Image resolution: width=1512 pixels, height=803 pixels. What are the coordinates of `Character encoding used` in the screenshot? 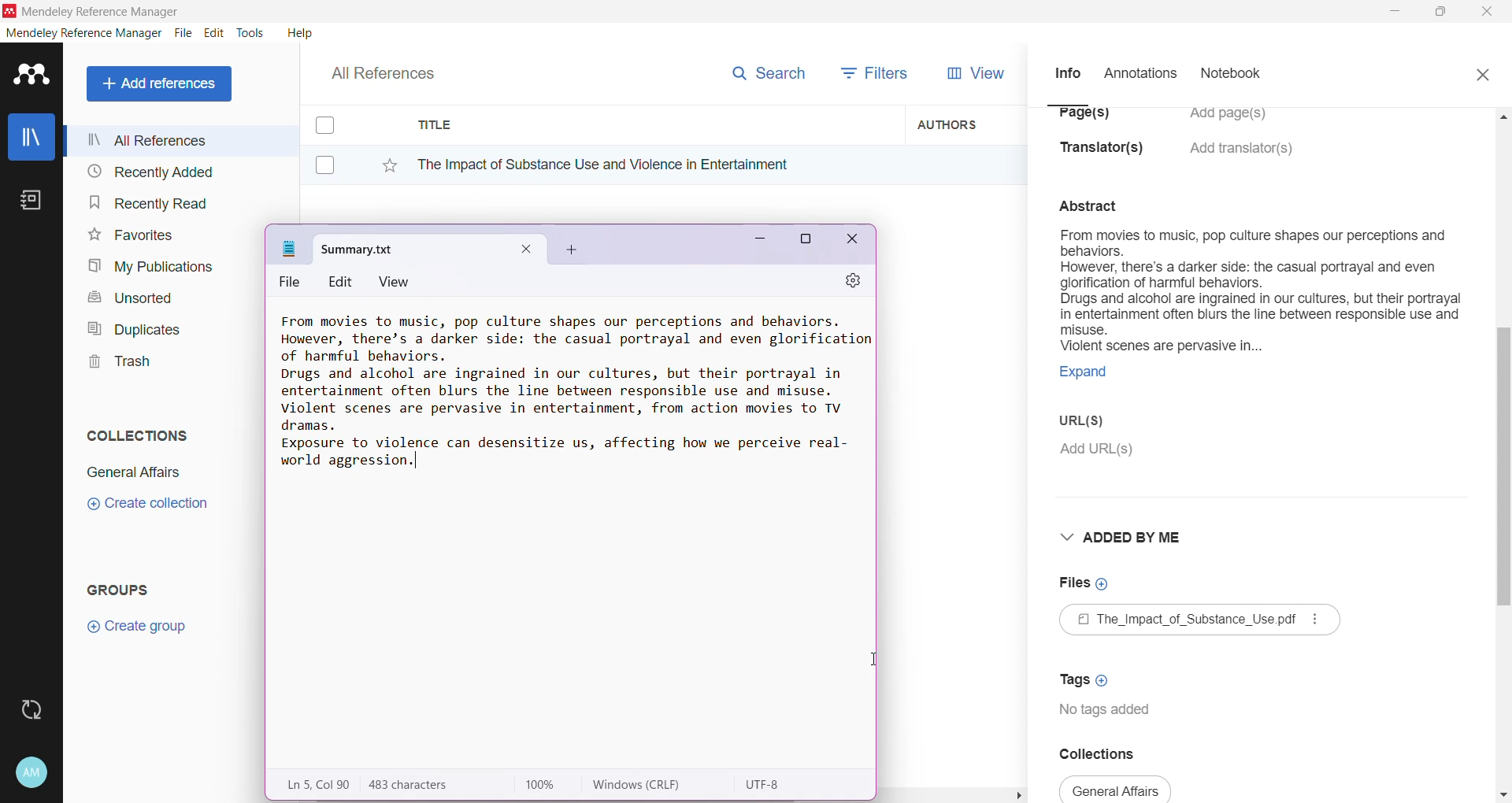 It's located at (766, 785).